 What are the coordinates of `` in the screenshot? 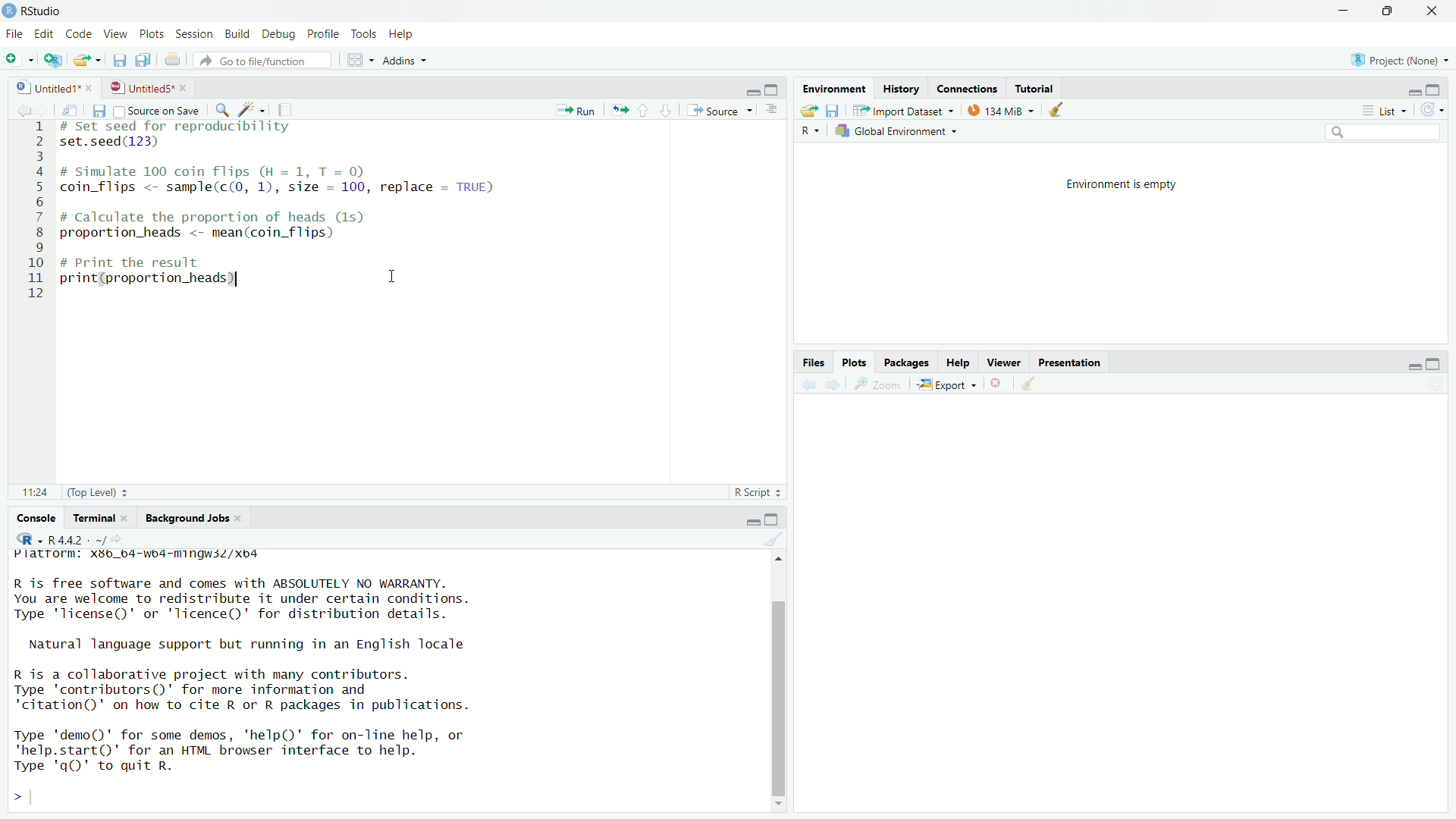 It's located at (1120, 596).